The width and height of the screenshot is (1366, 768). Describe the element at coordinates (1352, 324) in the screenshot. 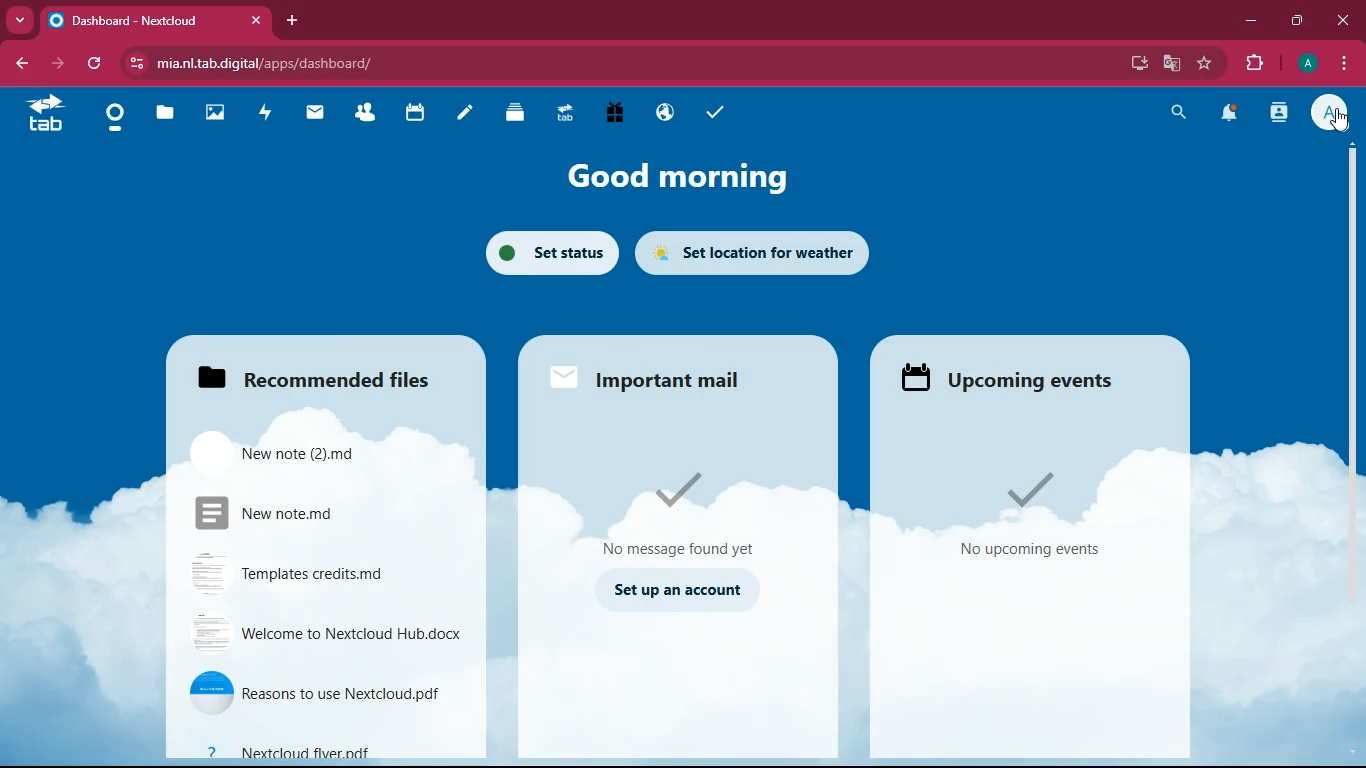

I see `scroll` at that location.